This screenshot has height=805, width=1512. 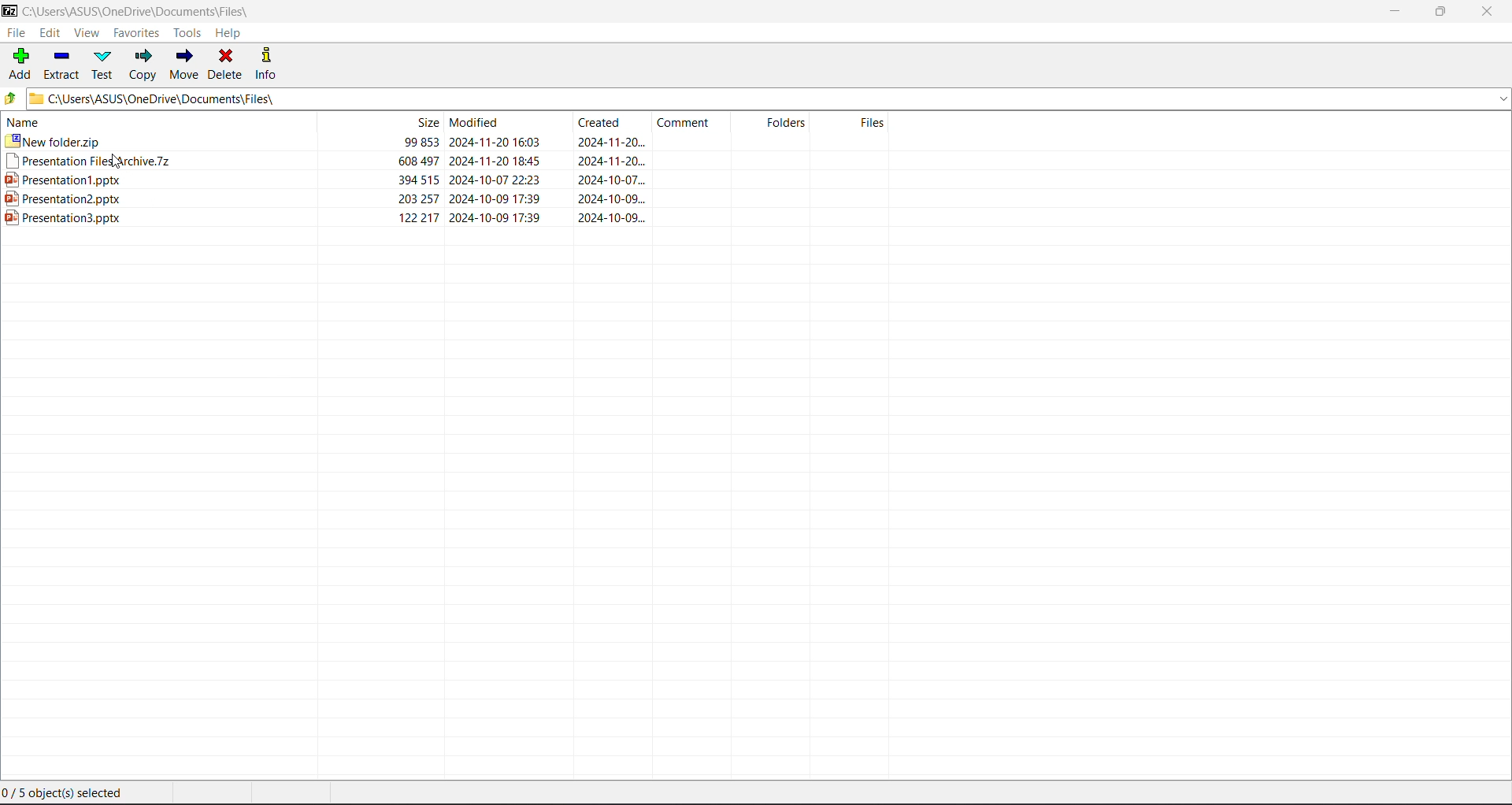 I want to click on Presentation3.pptx 122217 2024-10-09 17:39 2024-10-09..., so click(x=326, y=219).